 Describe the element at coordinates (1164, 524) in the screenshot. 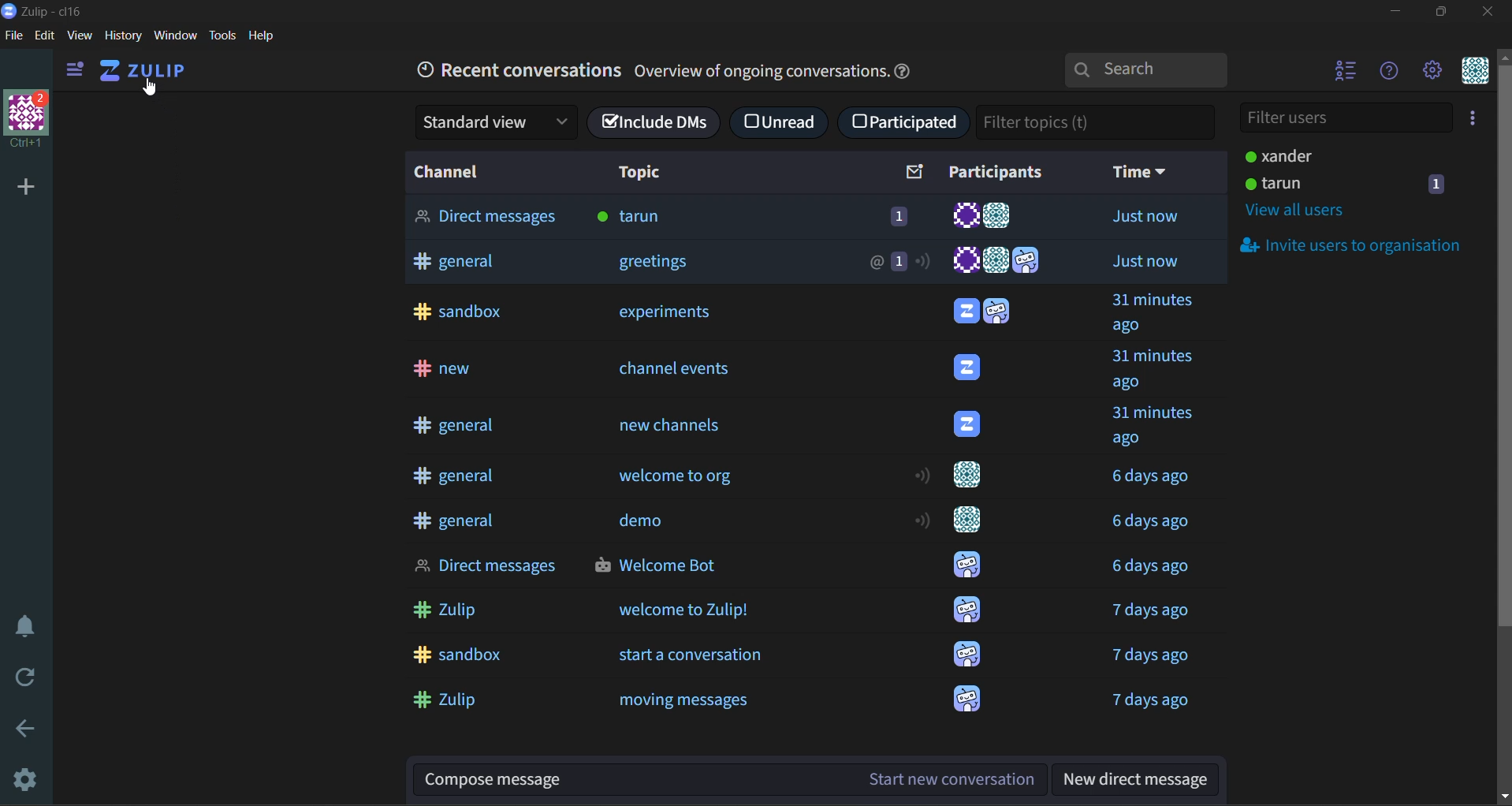

I see `Time` at that location.